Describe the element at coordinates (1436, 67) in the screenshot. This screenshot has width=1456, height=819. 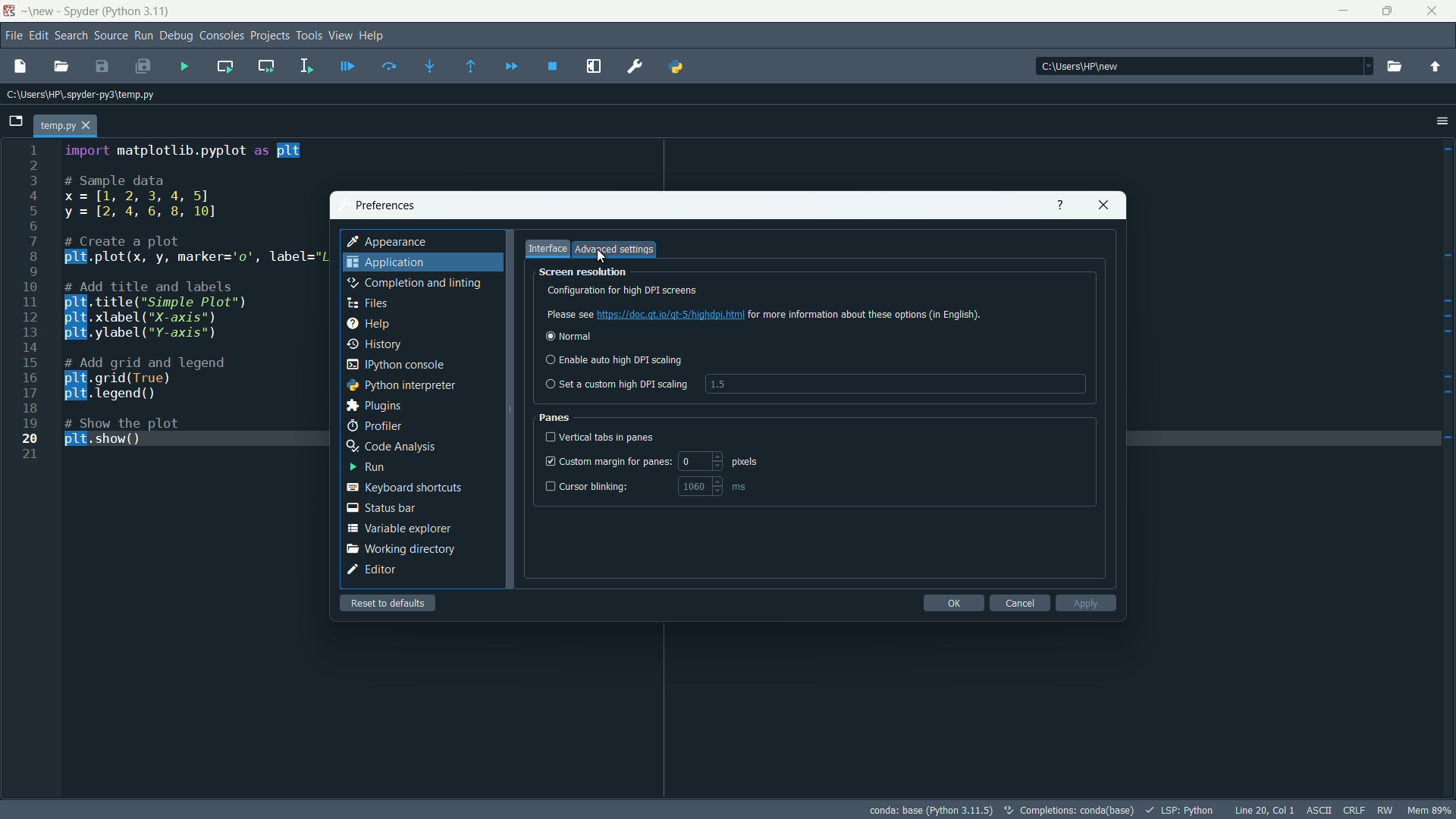
I see `parent directory` at that location.